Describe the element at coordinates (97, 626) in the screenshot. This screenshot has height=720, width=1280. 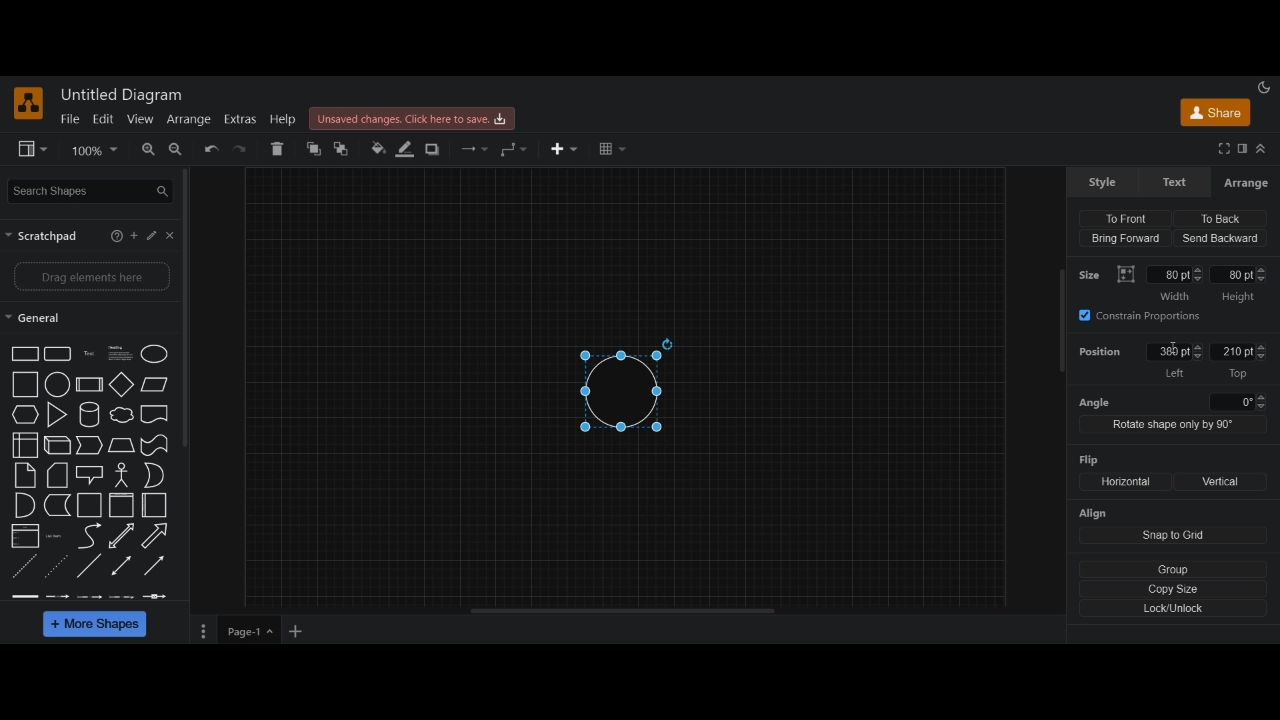
I see `more shapes` at that location.